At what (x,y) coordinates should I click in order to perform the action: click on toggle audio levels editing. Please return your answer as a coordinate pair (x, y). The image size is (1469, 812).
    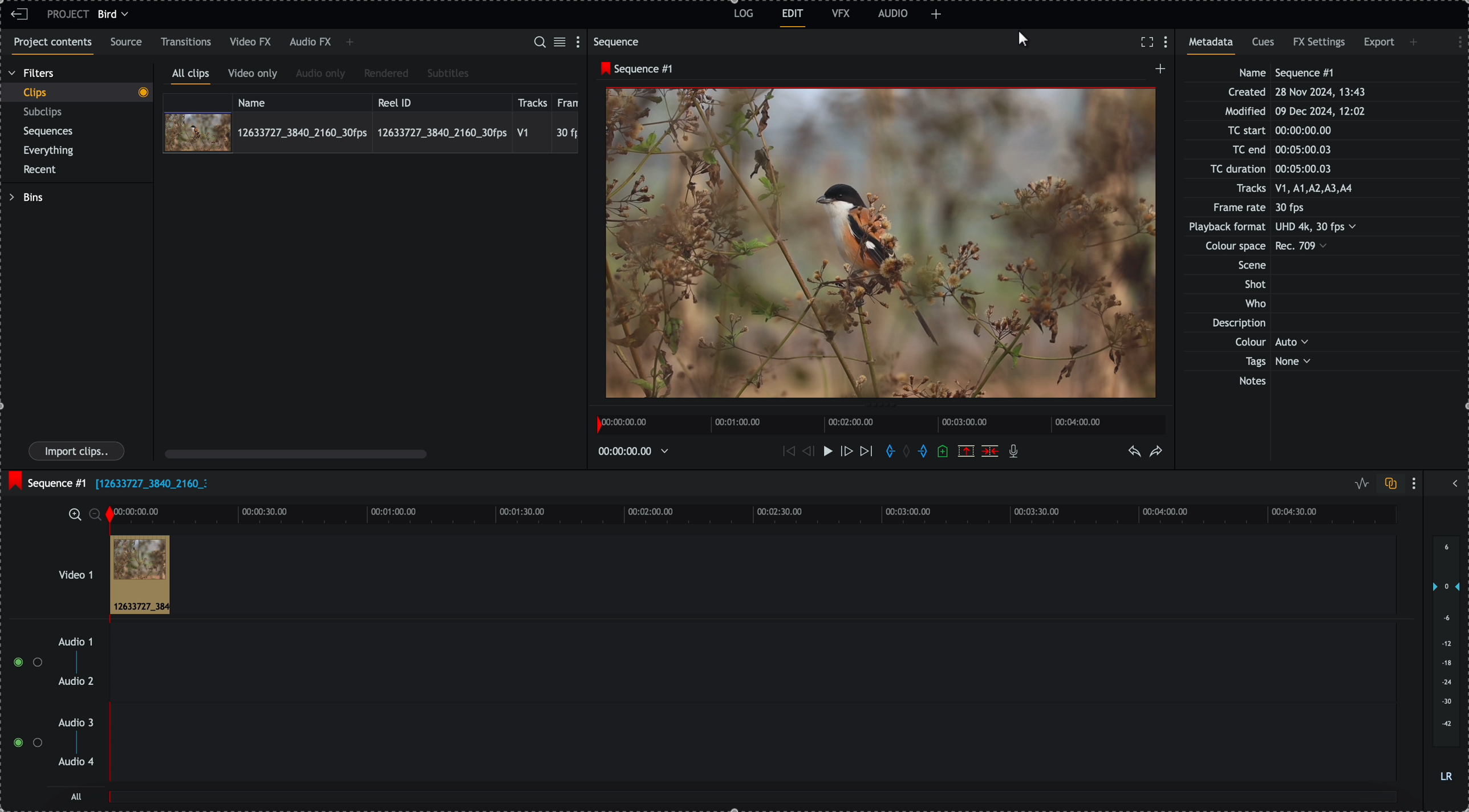
    Looking at the image, I should click on (1359, 484).